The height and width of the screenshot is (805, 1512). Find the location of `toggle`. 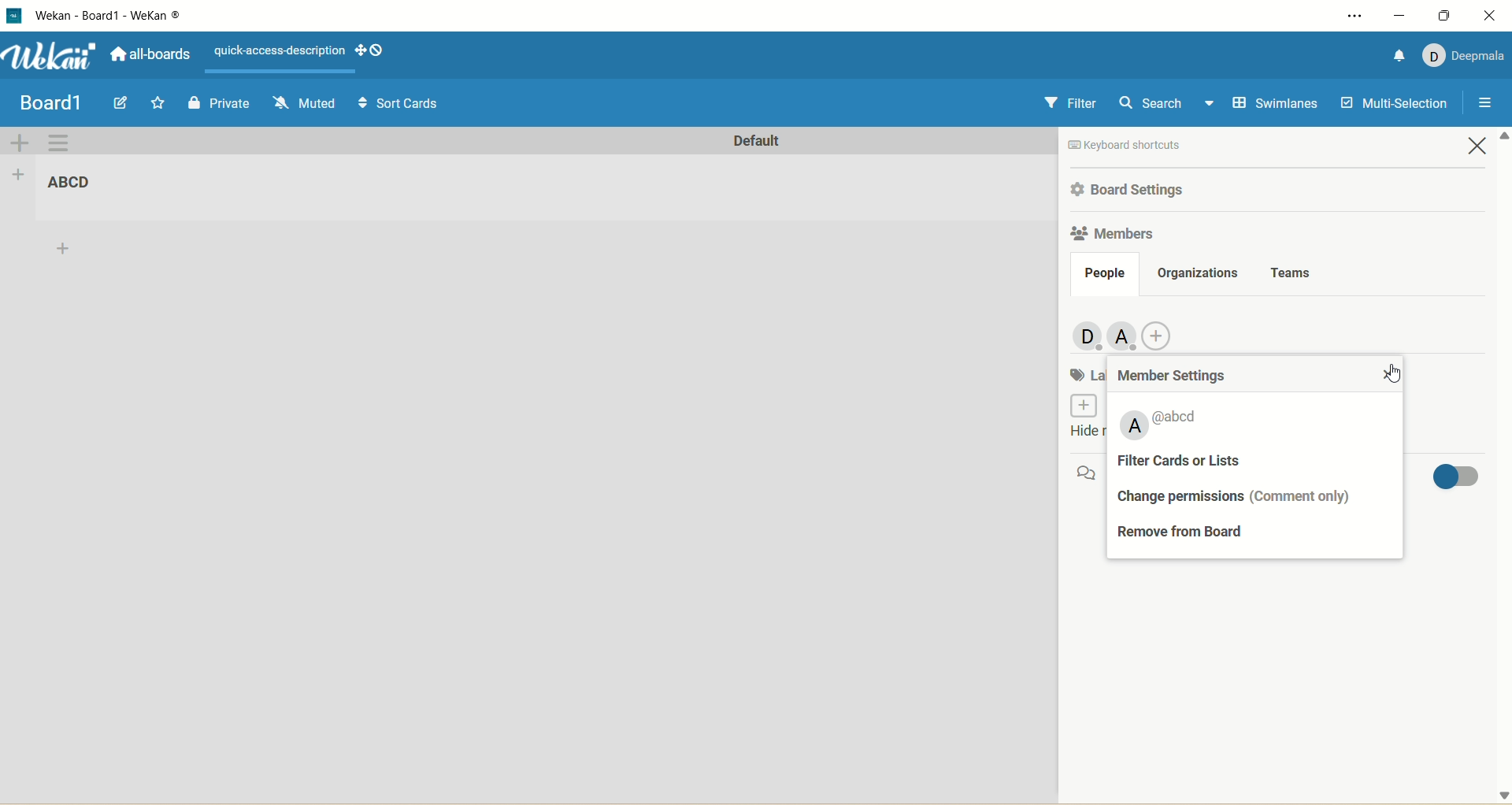

toggle is located at coordinates (1454, 478).